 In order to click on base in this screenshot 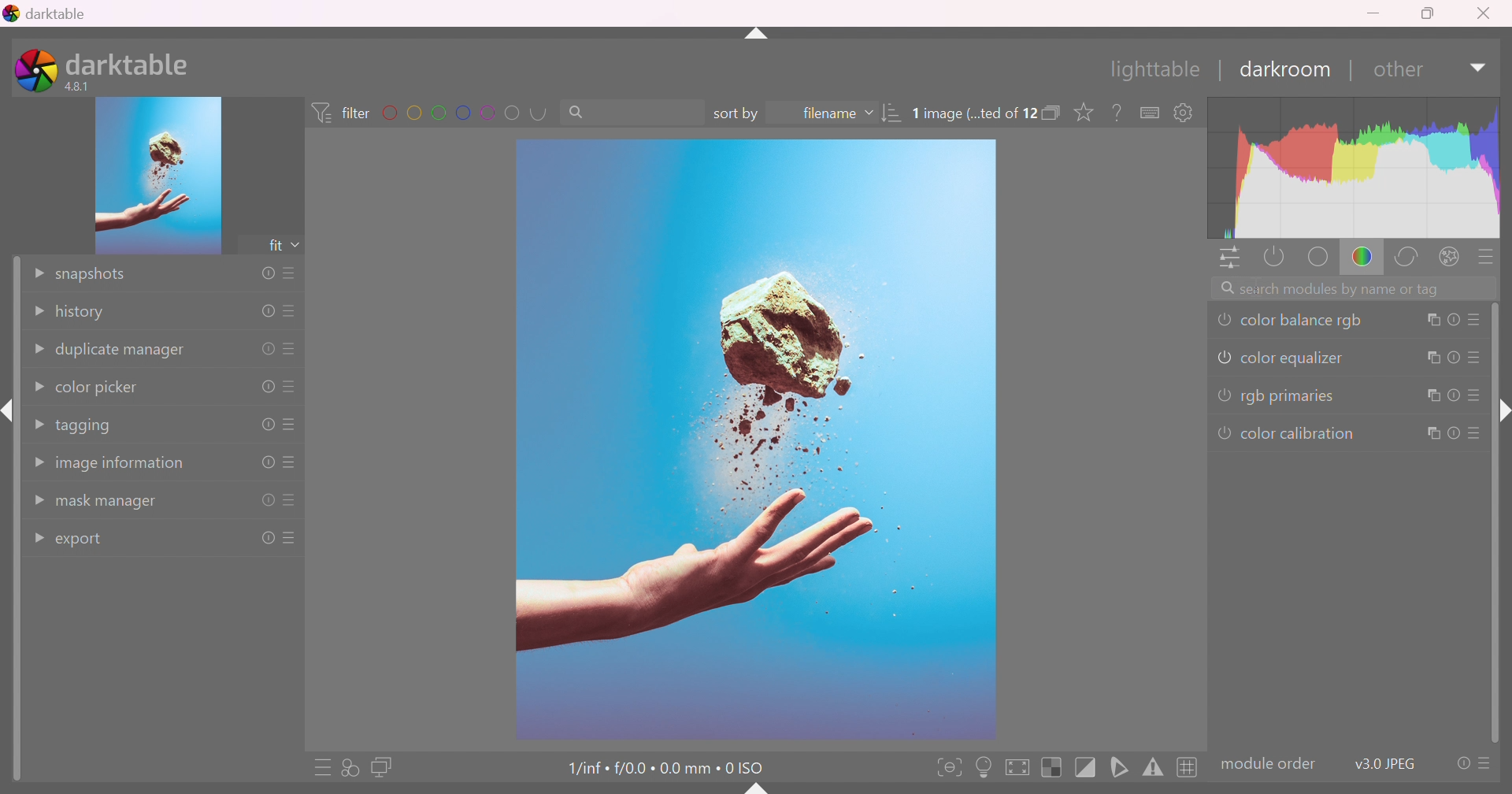, I will do `click(1320, 258)`.